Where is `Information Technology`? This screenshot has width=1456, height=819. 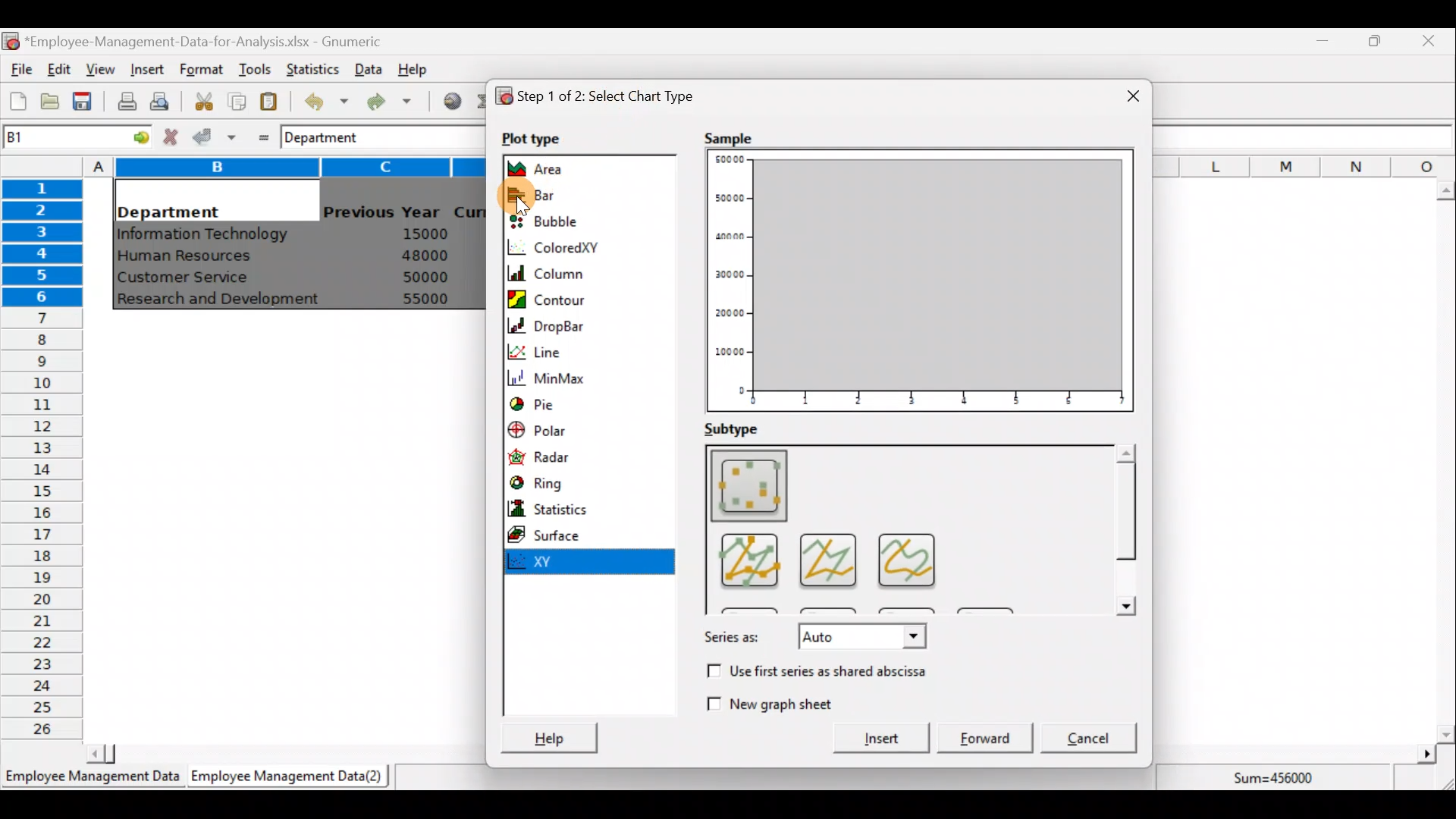
Information Technology is located at coordinates (205, 234).